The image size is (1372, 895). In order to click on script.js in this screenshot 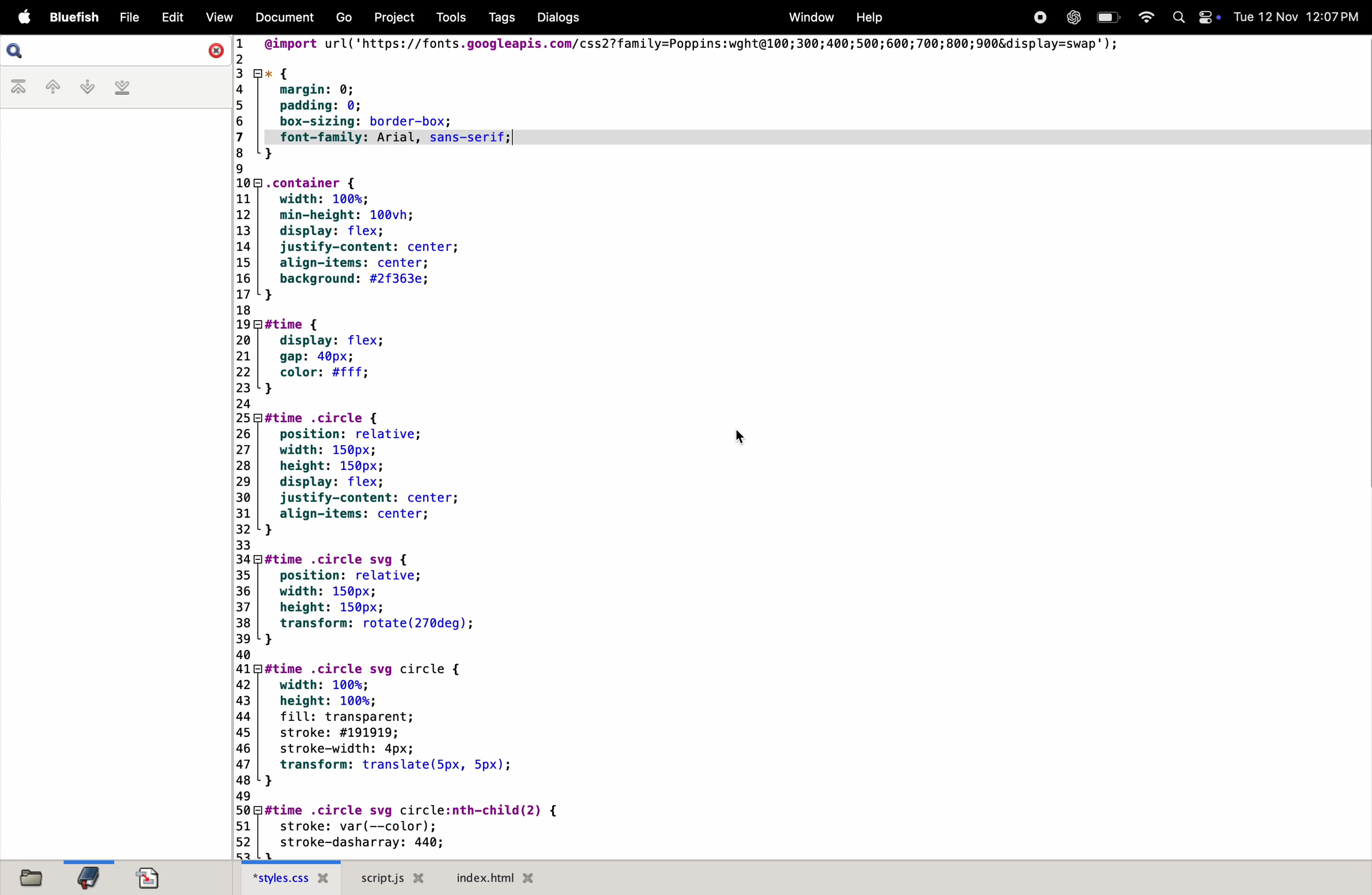, I will do `click(395, 878)`.